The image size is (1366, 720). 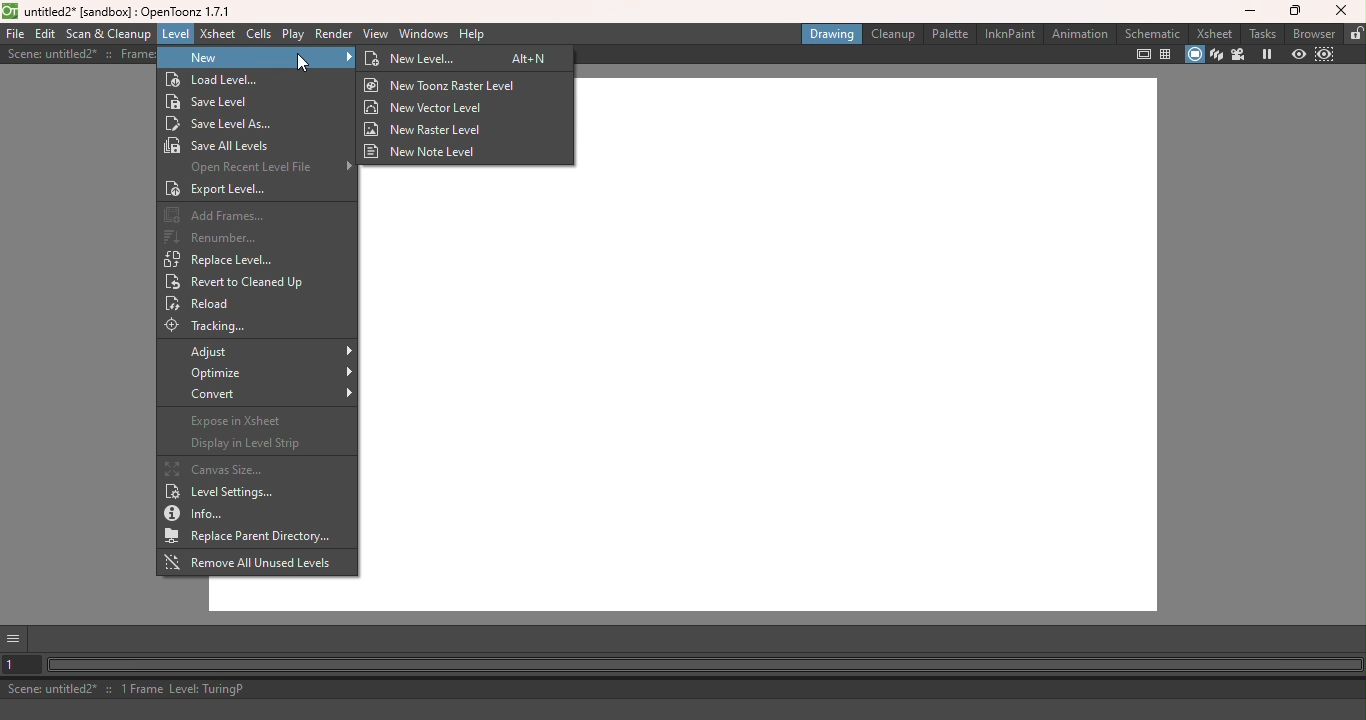 What do you see at coordinates (686, 691) in the screenshot?
I see `Status bar` at bounding box center [686, 691].